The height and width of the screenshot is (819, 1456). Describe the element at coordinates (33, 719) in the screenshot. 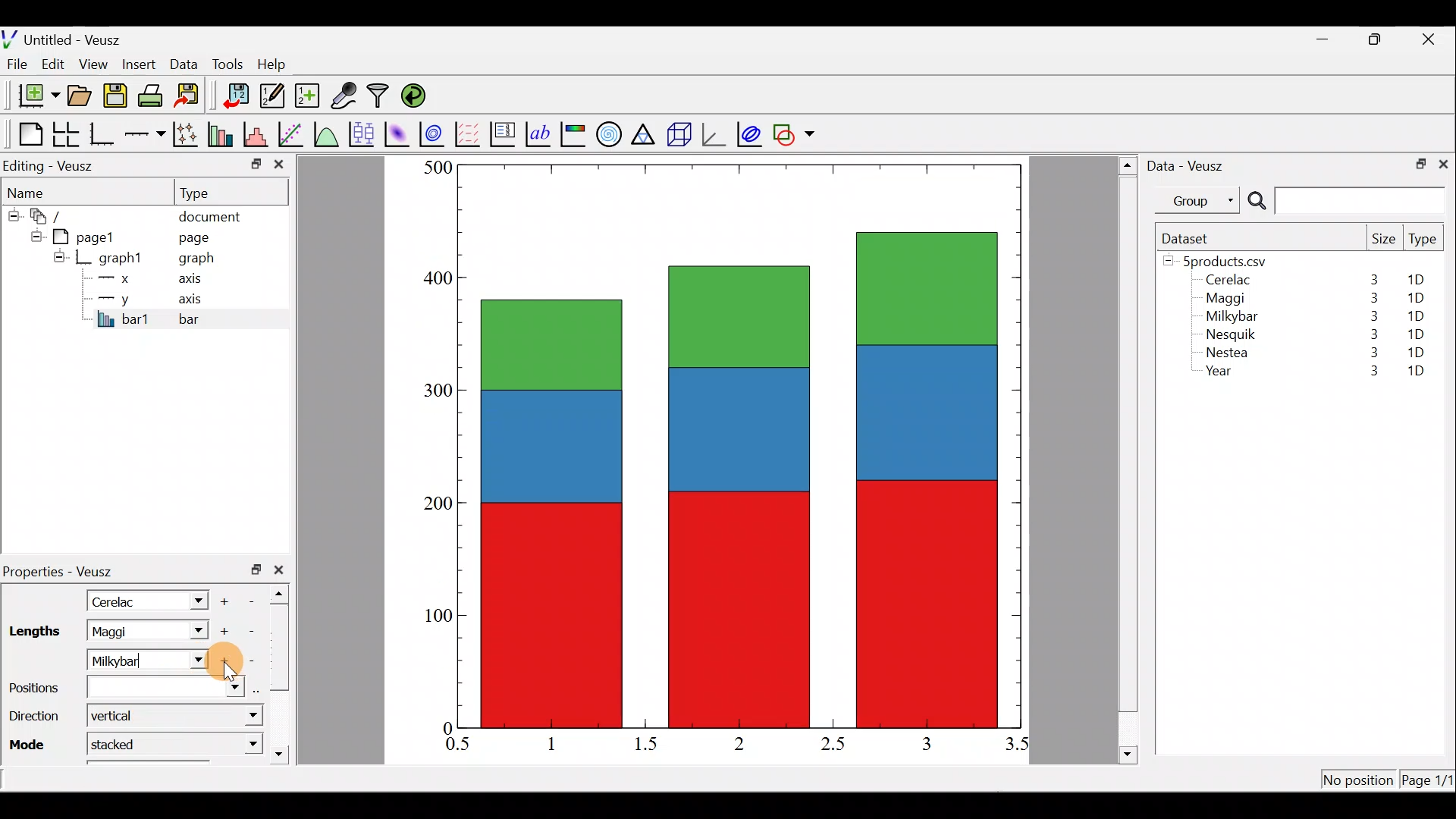

I see `Direction` at that location.